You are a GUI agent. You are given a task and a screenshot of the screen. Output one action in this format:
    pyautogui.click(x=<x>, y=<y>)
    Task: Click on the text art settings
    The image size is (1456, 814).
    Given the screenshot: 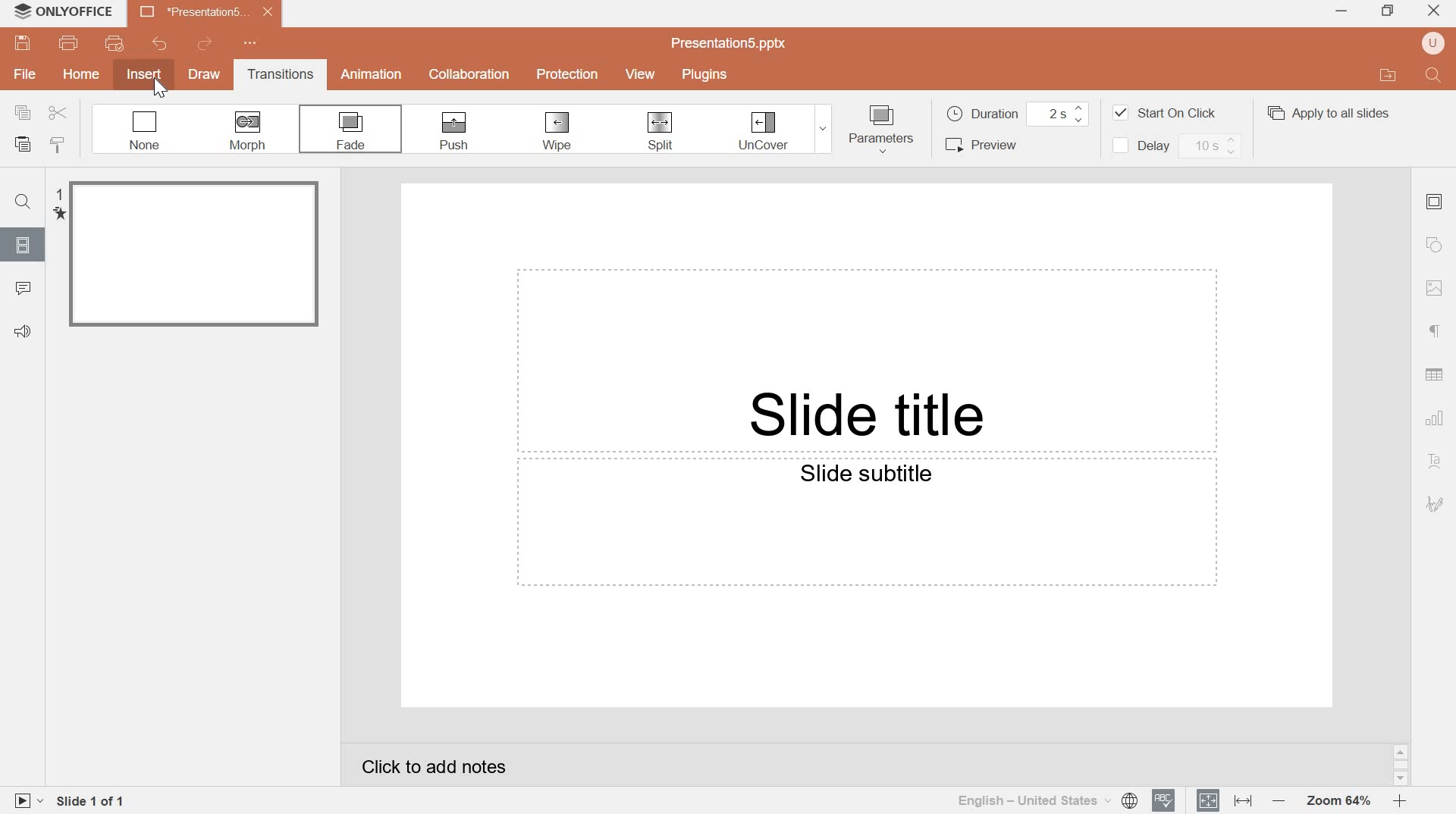 What is the action you would take?
    pyautogui.click(x=1432, y=462)
    